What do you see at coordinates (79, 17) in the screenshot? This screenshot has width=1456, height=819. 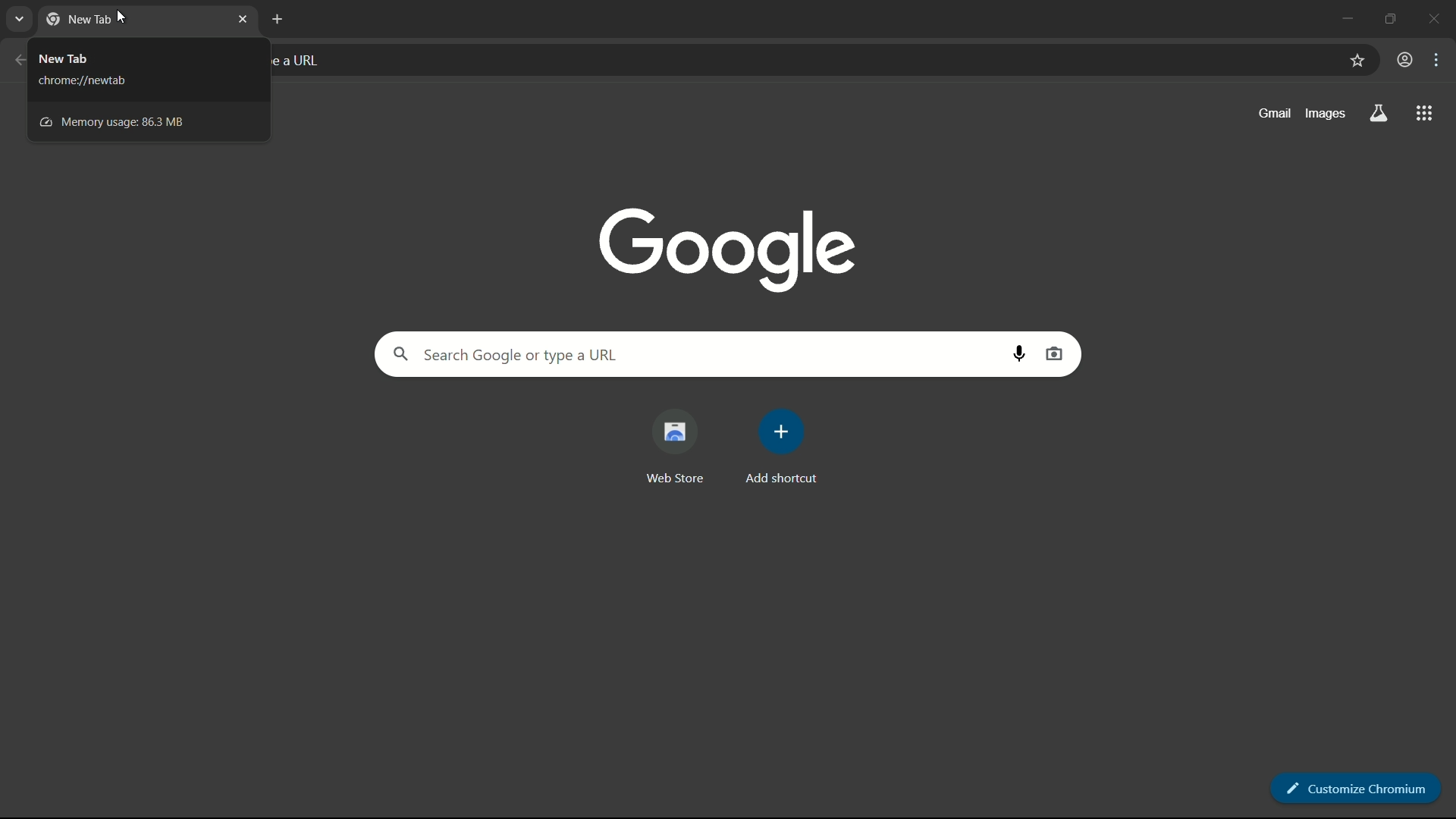 I see `new tab` at bounding box center [79, 17].